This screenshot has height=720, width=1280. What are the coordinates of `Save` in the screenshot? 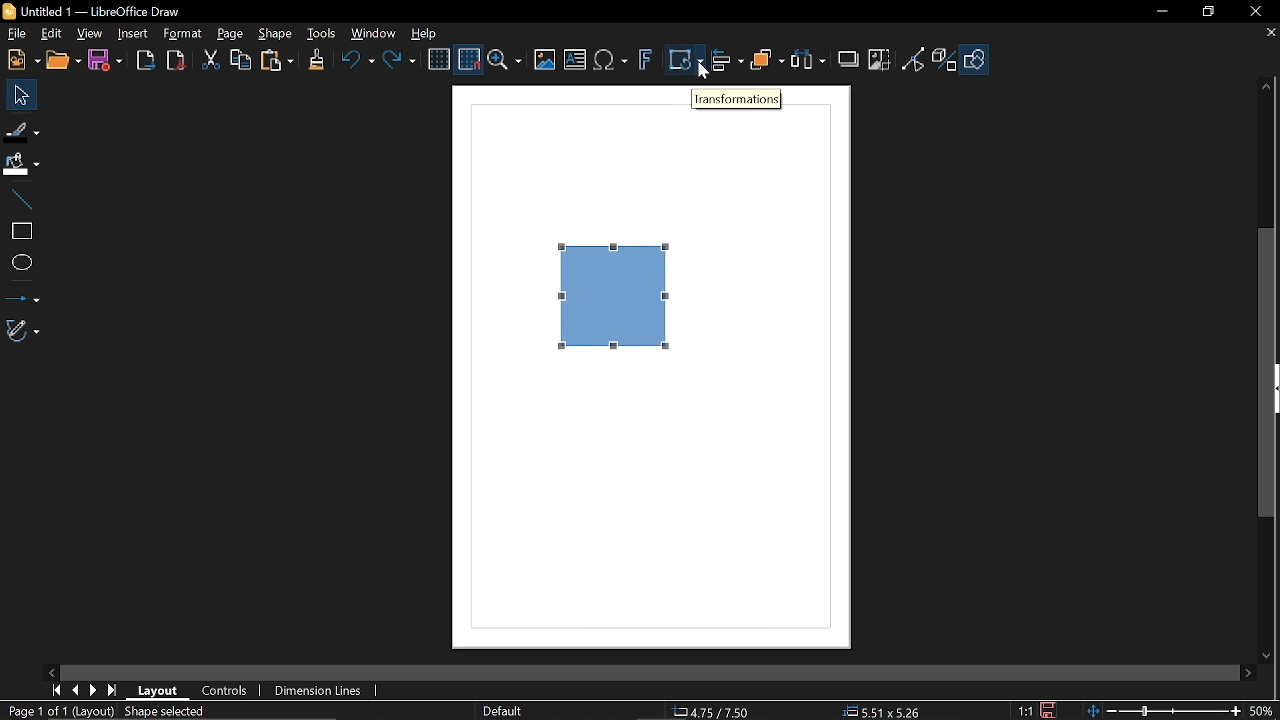 It's located at (104, 63).